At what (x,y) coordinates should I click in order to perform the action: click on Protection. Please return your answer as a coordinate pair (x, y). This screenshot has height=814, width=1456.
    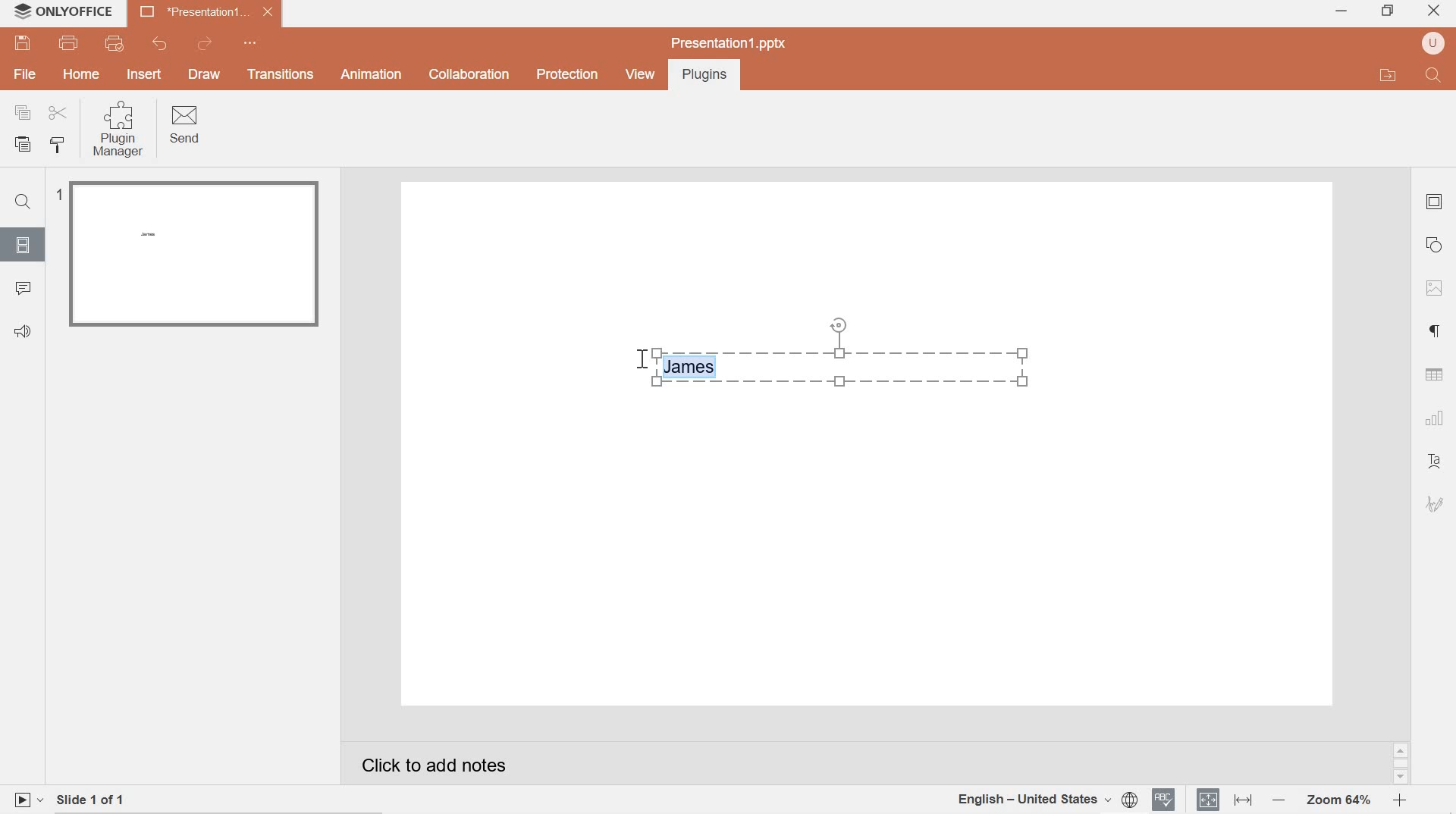
    Looking at the image, I should click on (566, 75).